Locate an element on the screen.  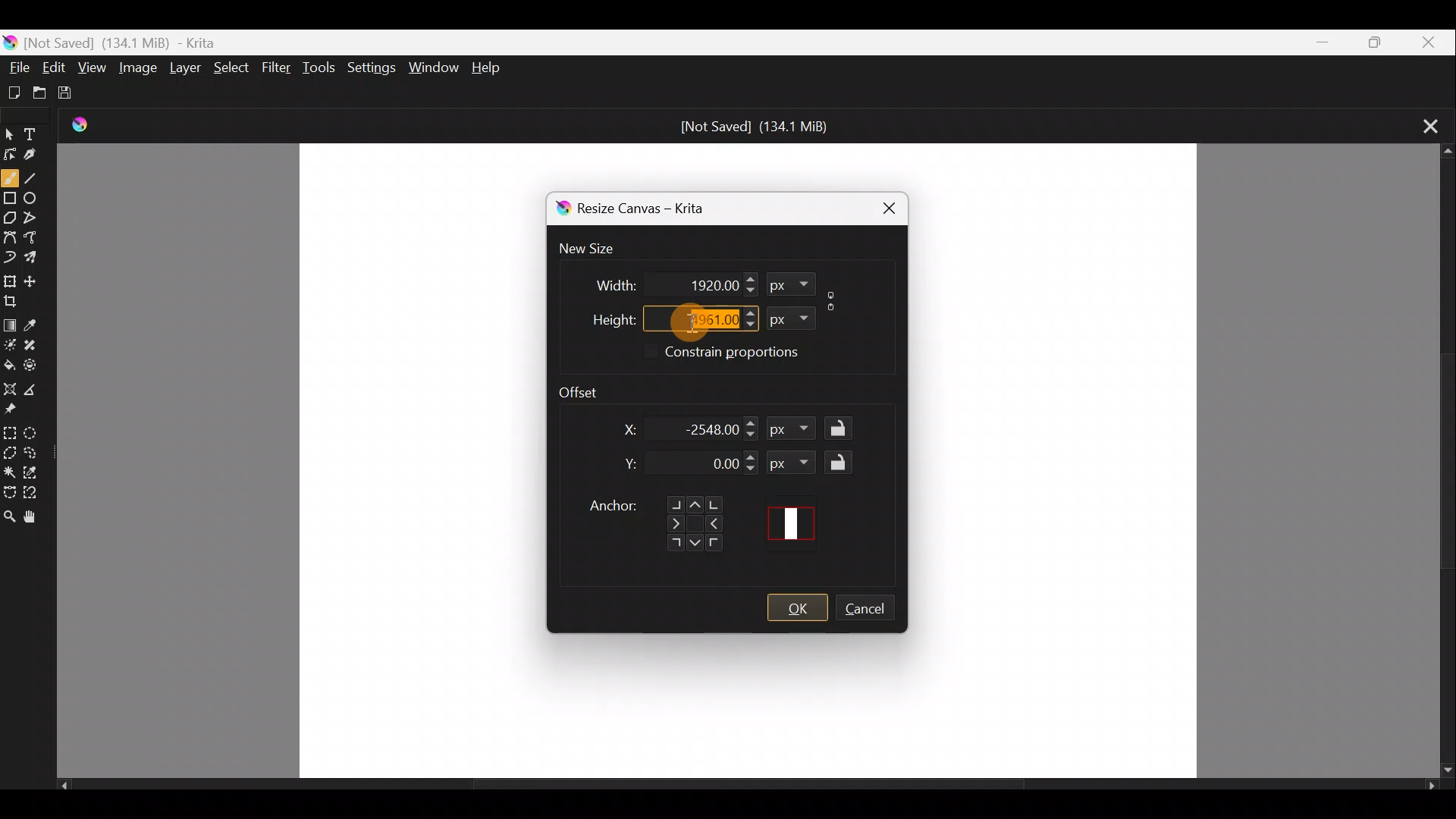
Magnetic curve selection tool is located at coordinates (37, 494).